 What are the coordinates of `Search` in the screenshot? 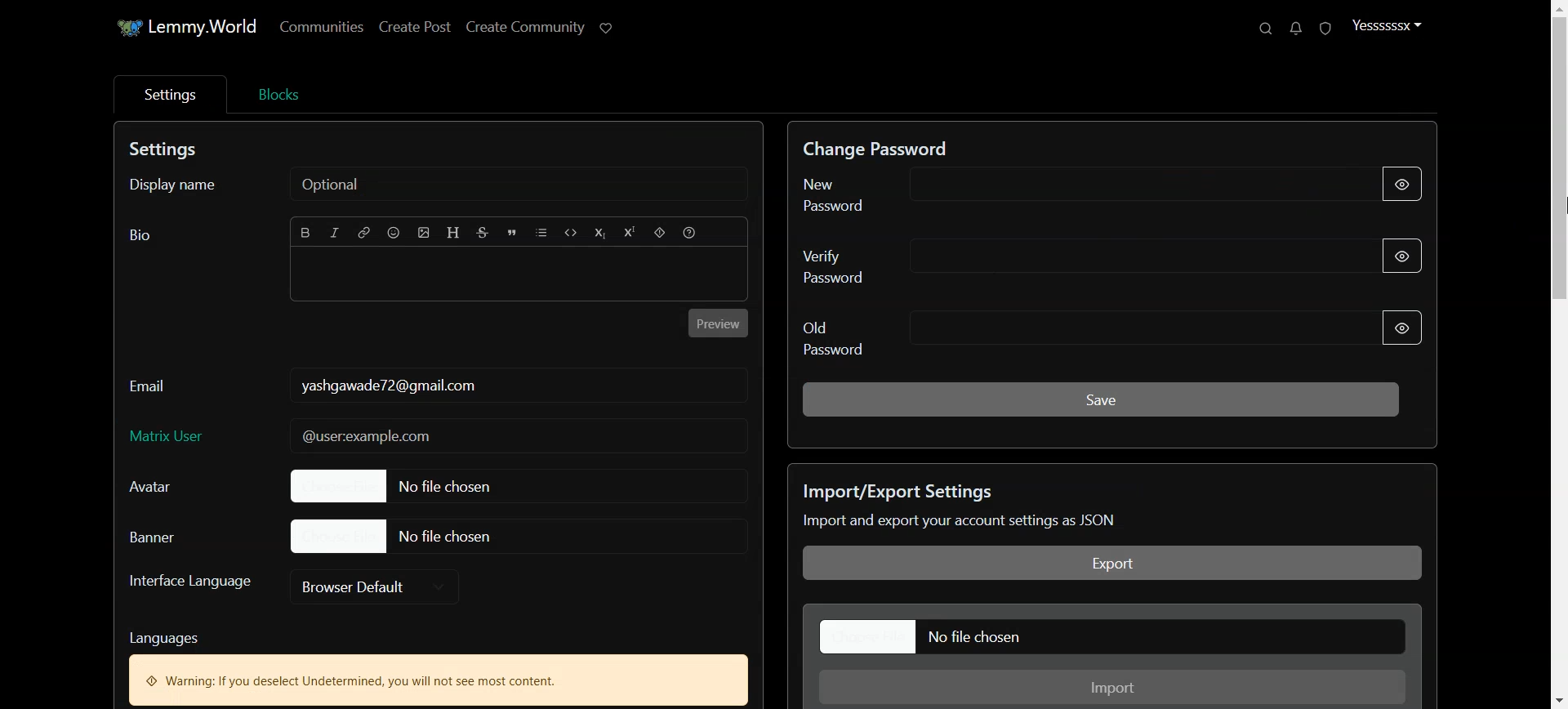 It's located at (1266, 28).